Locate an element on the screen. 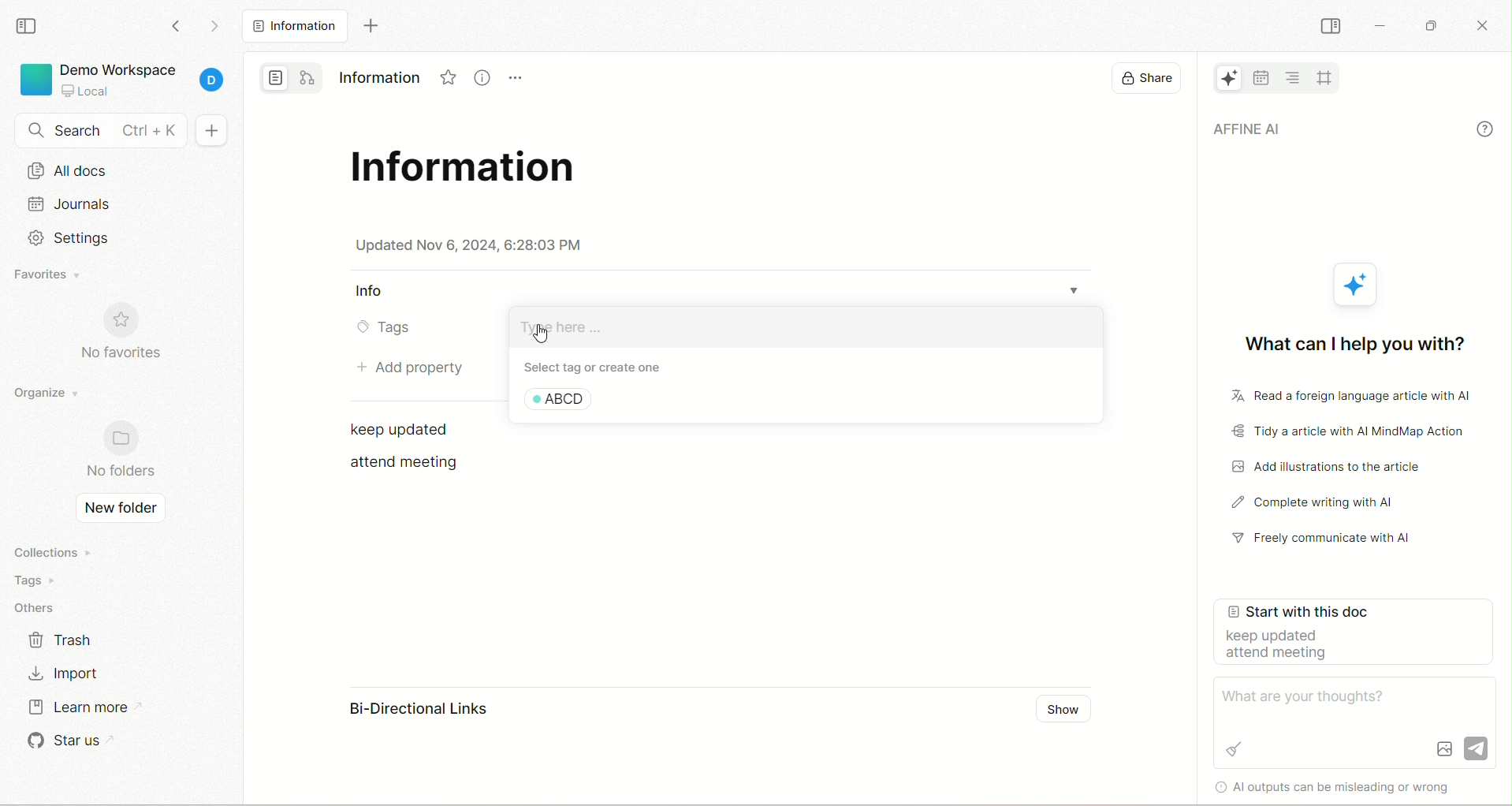 The height and width of the screenshot is (806, 1512). minimize is located at coordinates (1380, 26).